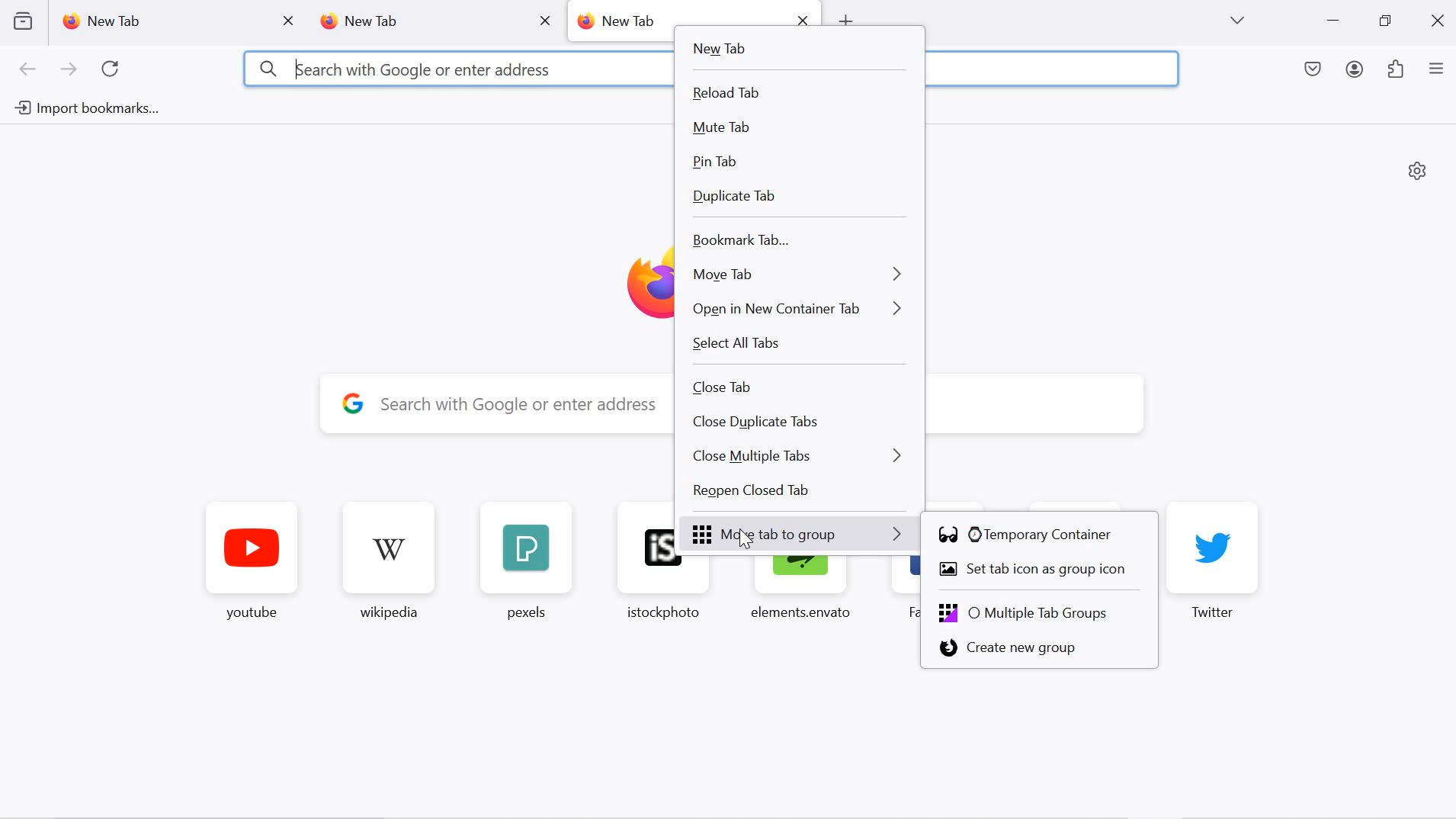 The width and height of the screenshot is (1456, 819). I want to click on close tab, so click(290, 21).